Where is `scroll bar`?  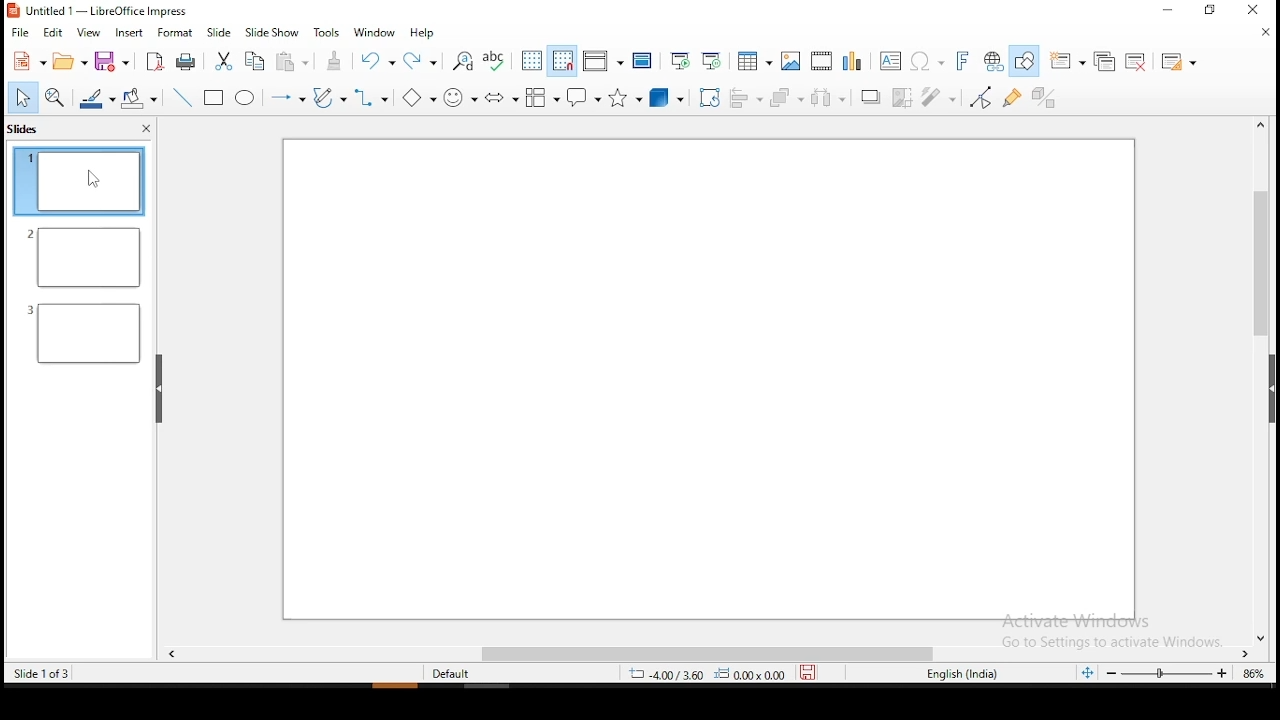
scroll bar is located at coordinates (707, 655).